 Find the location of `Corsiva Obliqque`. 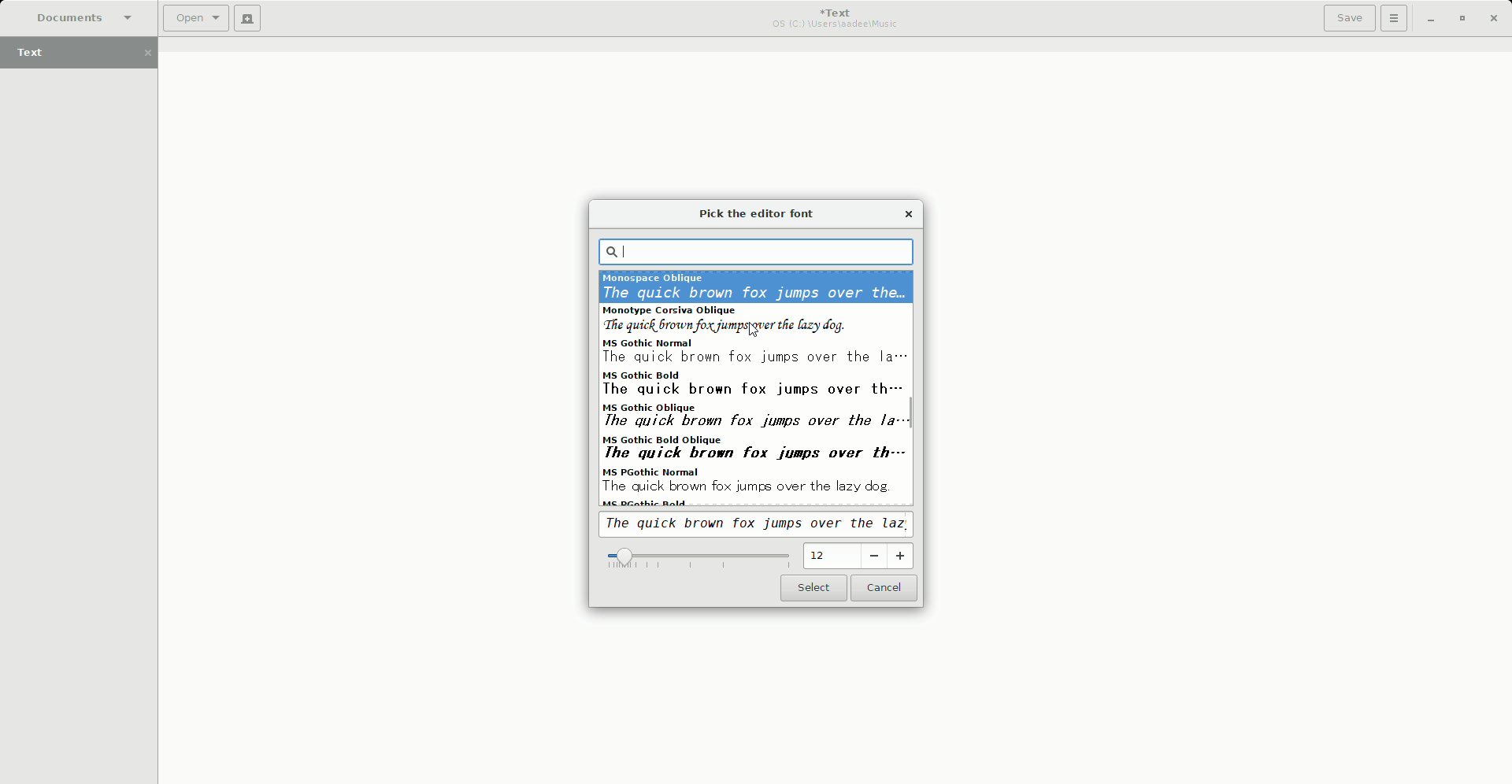

Corsiva Obliqque is located at coordinates (754, 320).